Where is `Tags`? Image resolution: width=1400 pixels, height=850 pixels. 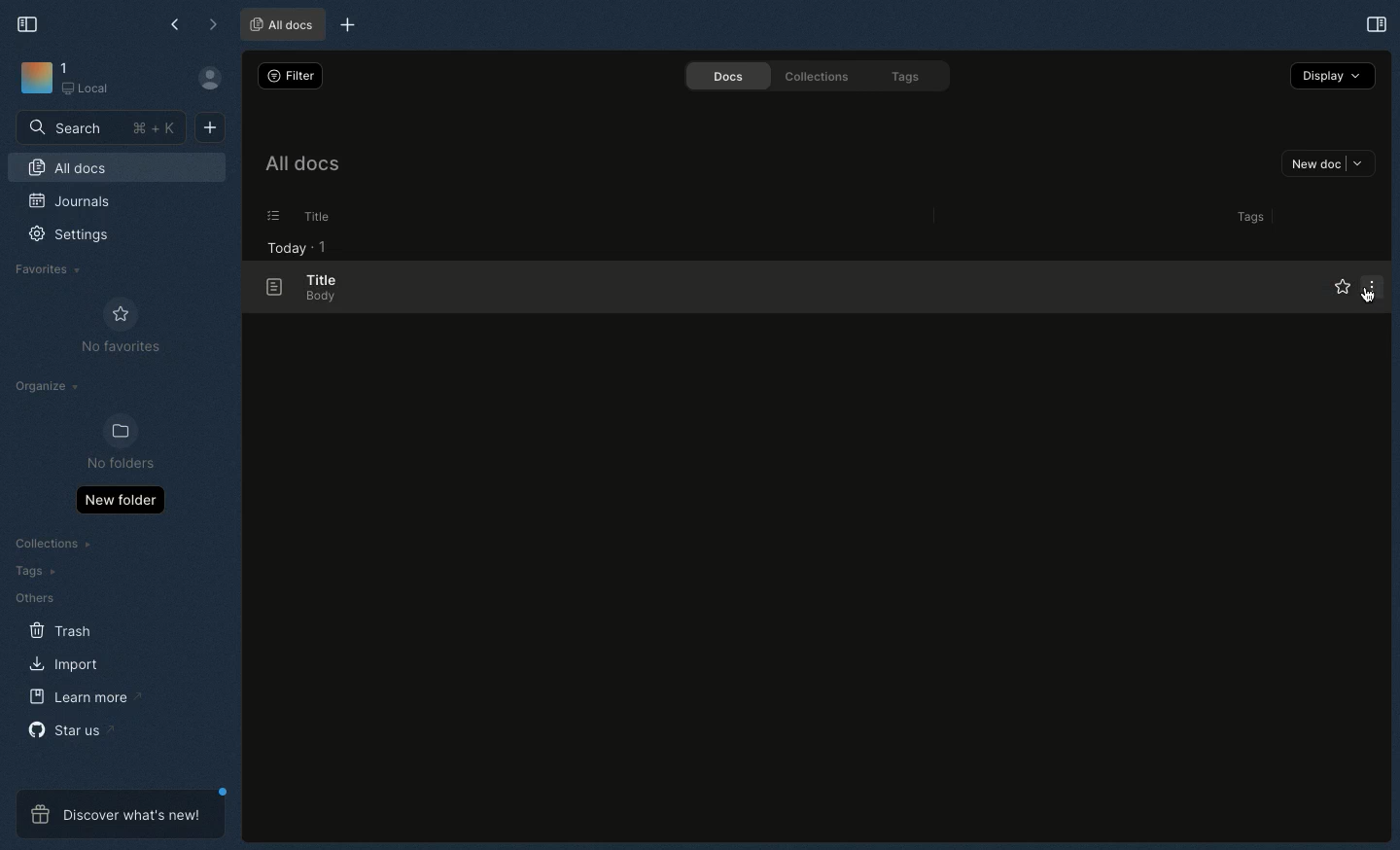 Tags is located at coordinates (909, 78).